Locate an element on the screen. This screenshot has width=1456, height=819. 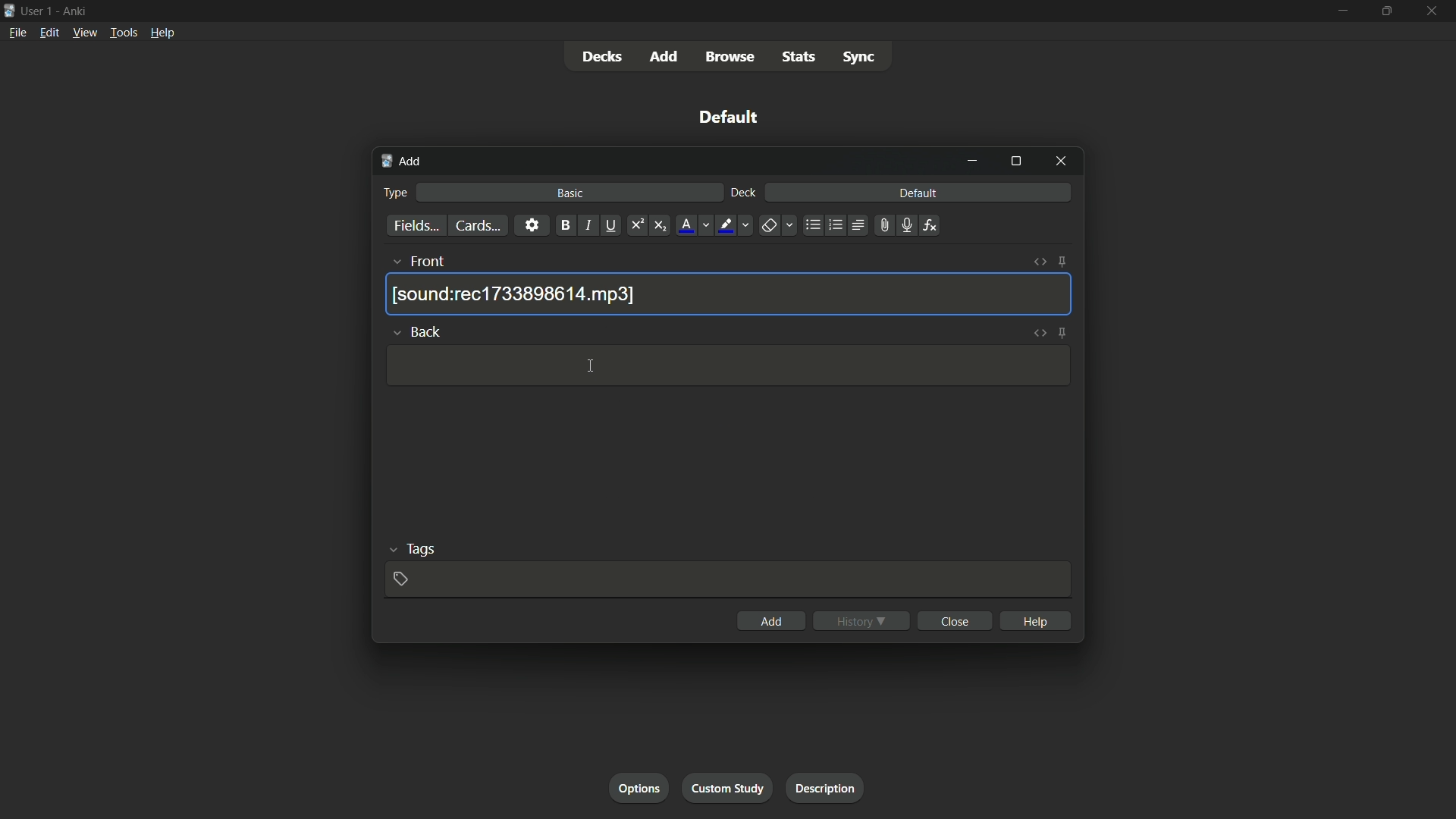
stats is located at coordinates (802, 58).